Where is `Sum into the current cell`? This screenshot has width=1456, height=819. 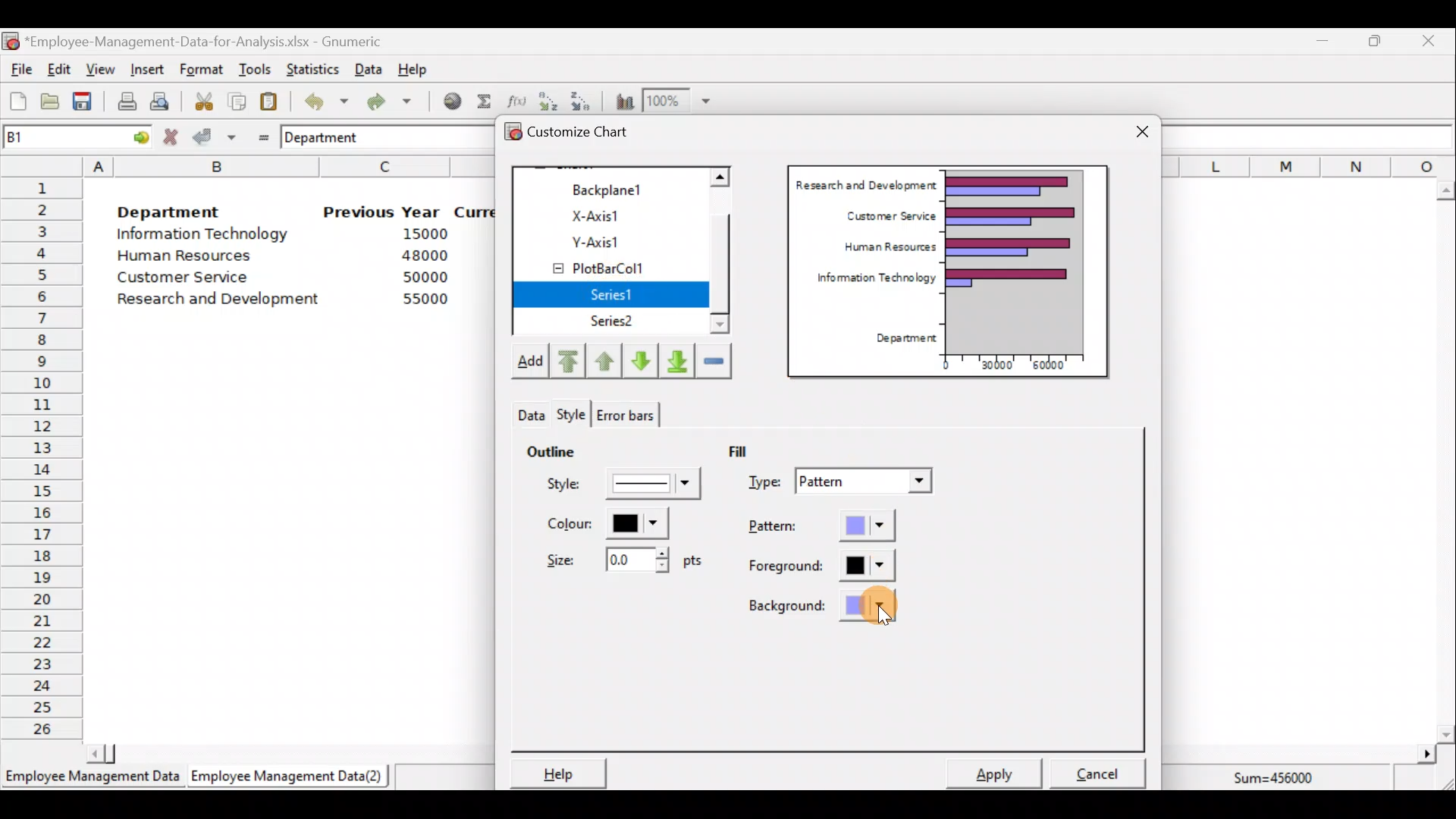
Sum into the current cell is located at coordinates (482, 101).